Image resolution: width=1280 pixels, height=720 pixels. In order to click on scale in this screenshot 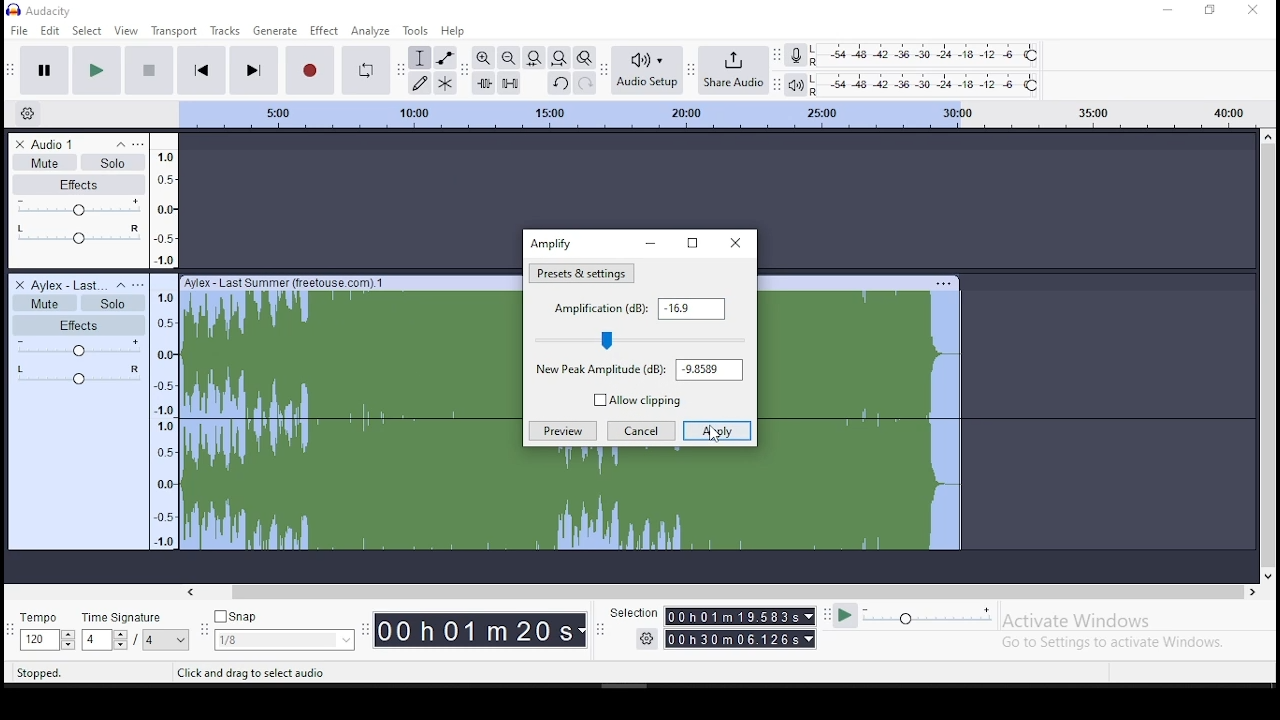, I will do `click(164, 340)`.